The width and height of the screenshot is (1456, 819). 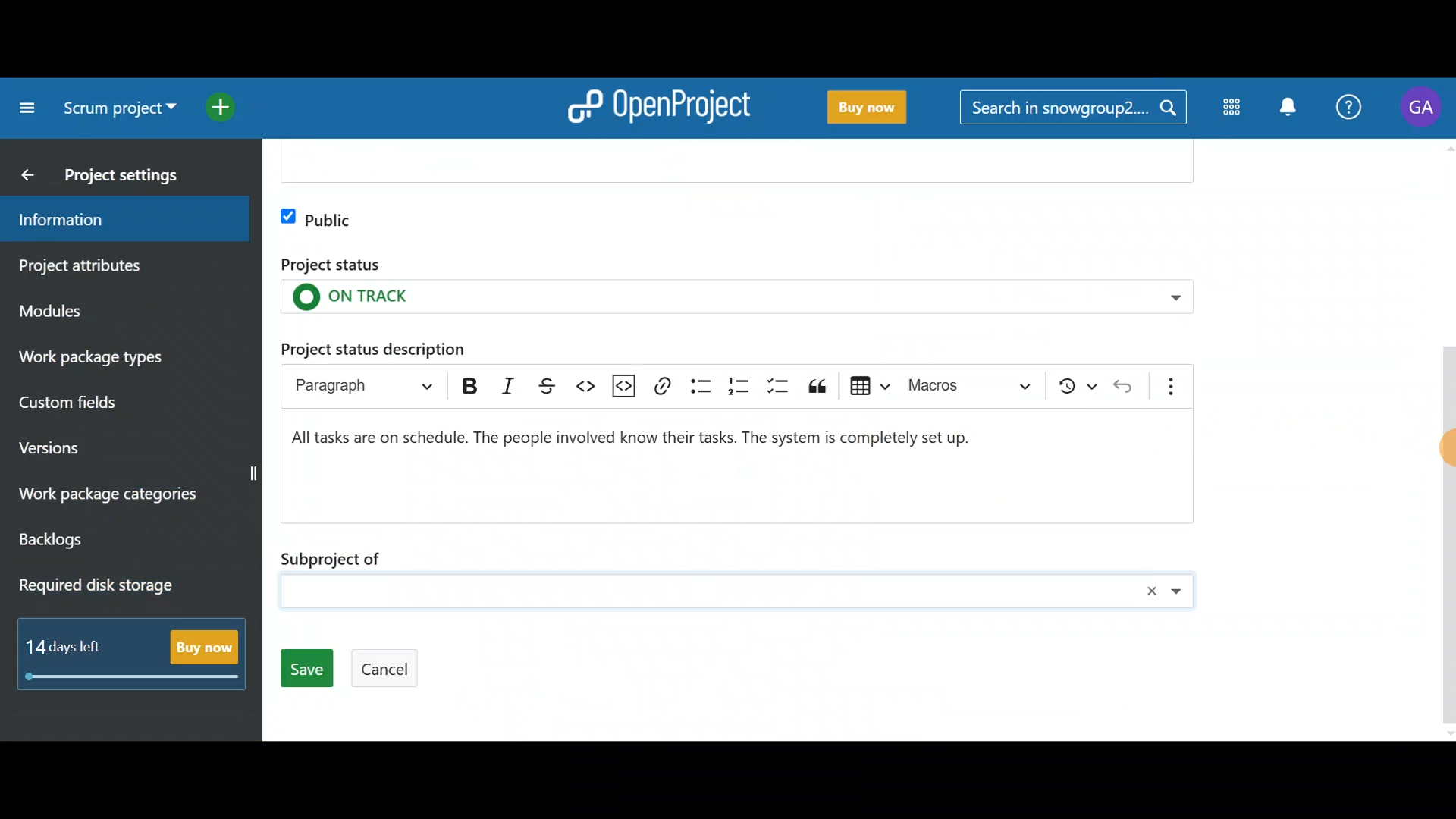 I want to click on Numbered list, so click(x=739, y=385).